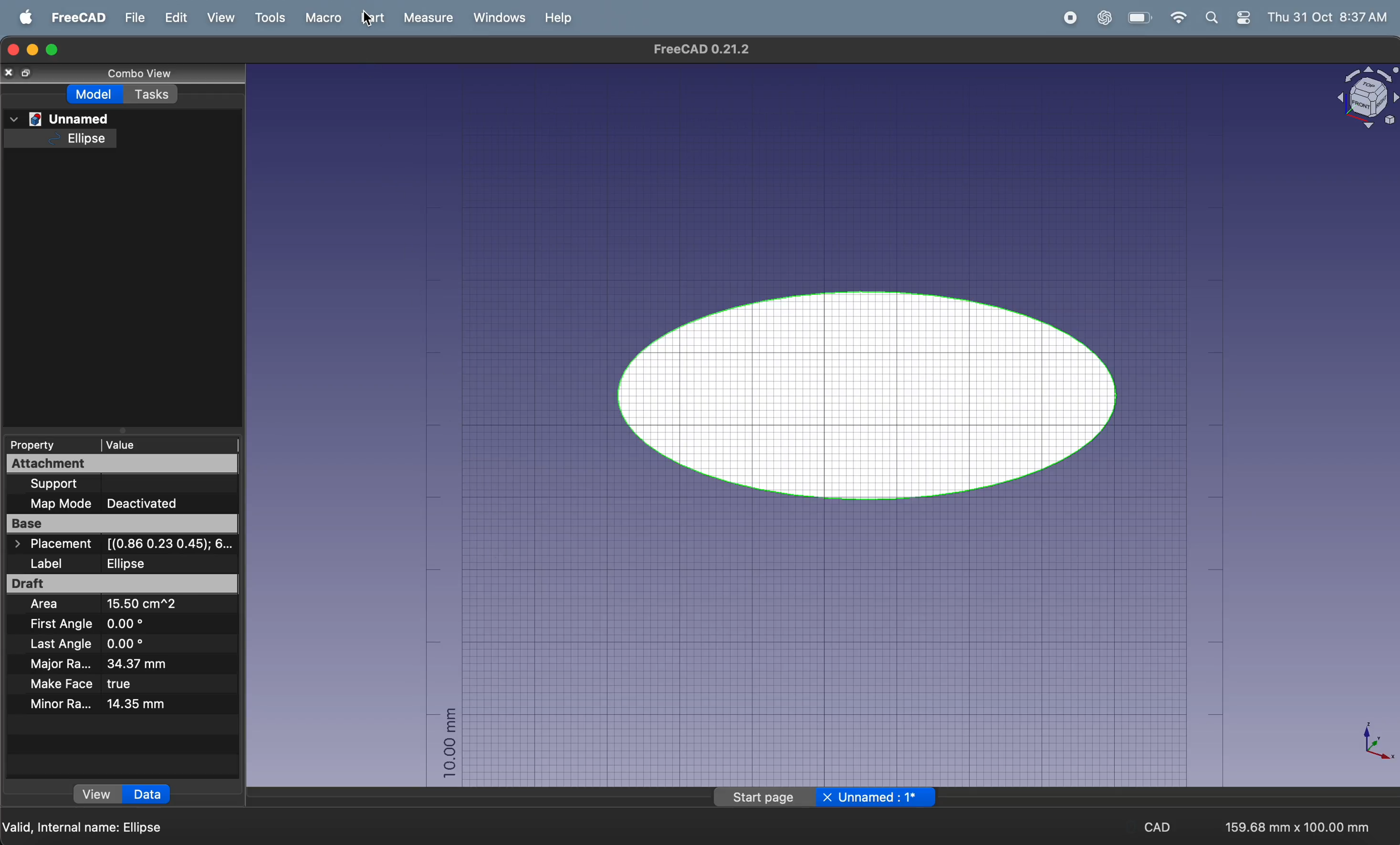 Image resolution: width=1400 pixels, height=845 pixels. Describe the element at coordinates (155, 97) in the screenshot. I see `tasks` at that location.